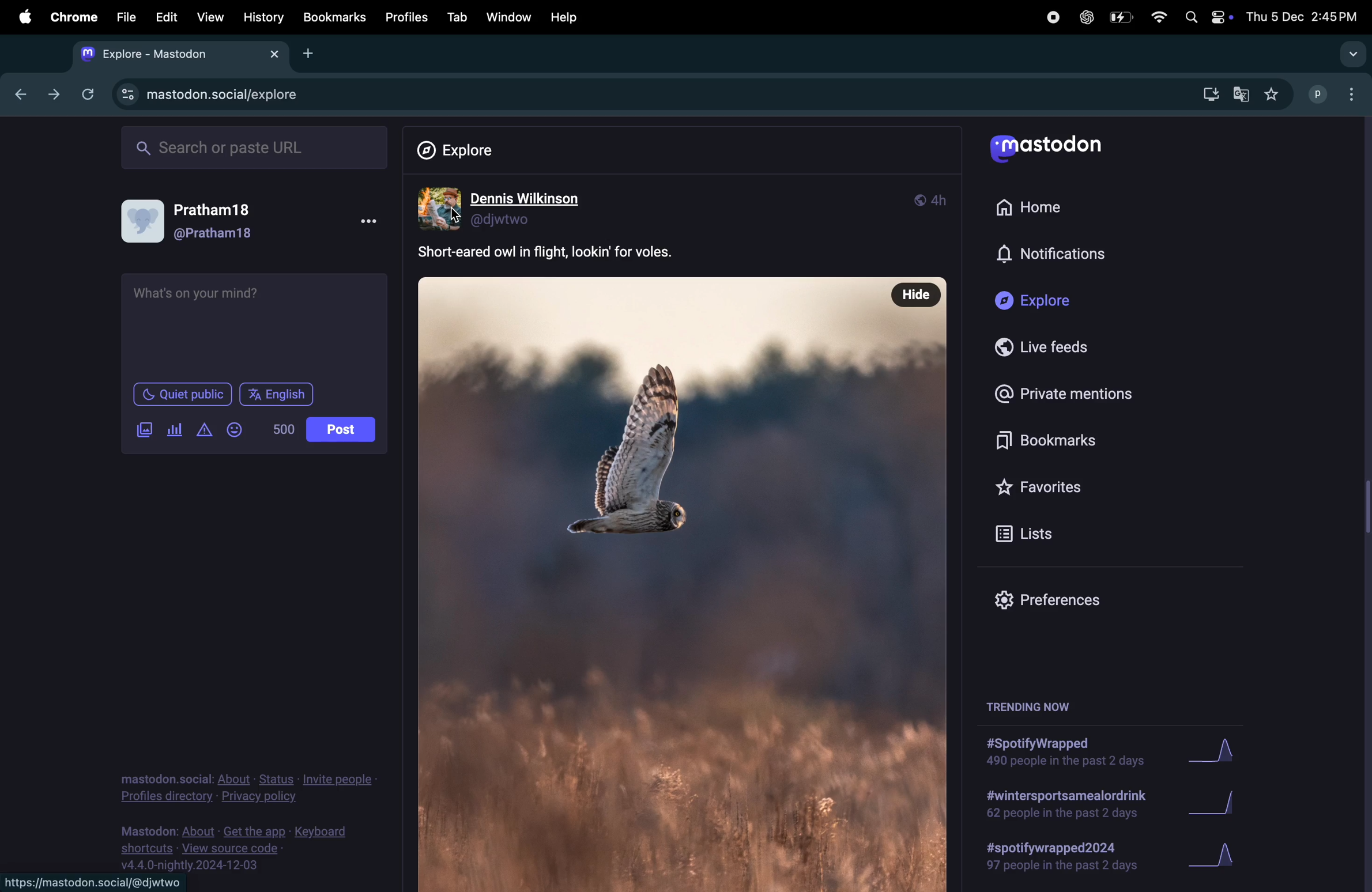 The image size is (1372, 892). I want to click on list, so click(1025, 532).